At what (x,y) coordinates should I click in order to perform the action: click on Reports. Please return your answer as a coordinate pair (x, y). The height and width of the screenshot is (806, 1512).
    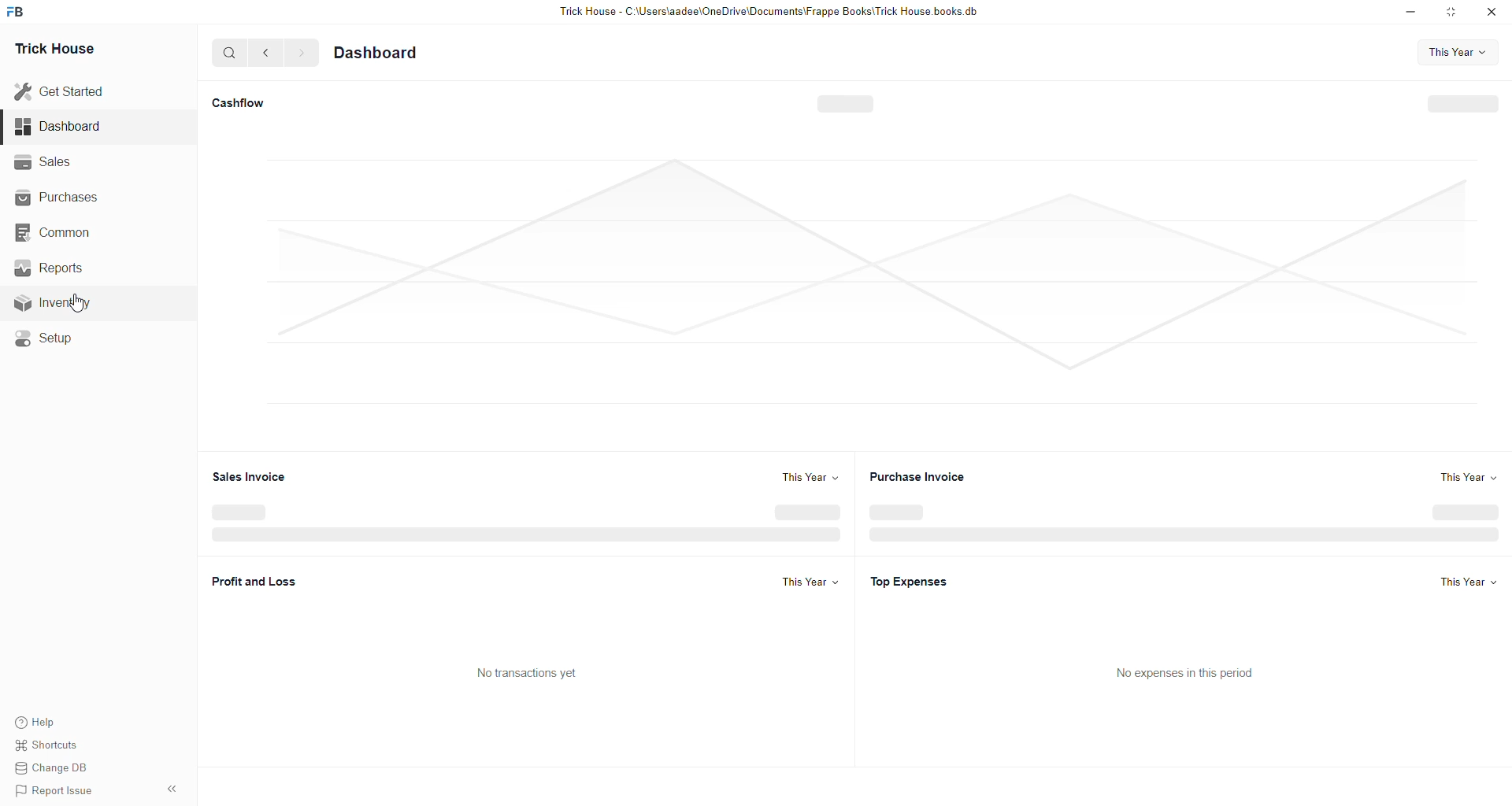
    Looking at the image, I should click on (50, 273).